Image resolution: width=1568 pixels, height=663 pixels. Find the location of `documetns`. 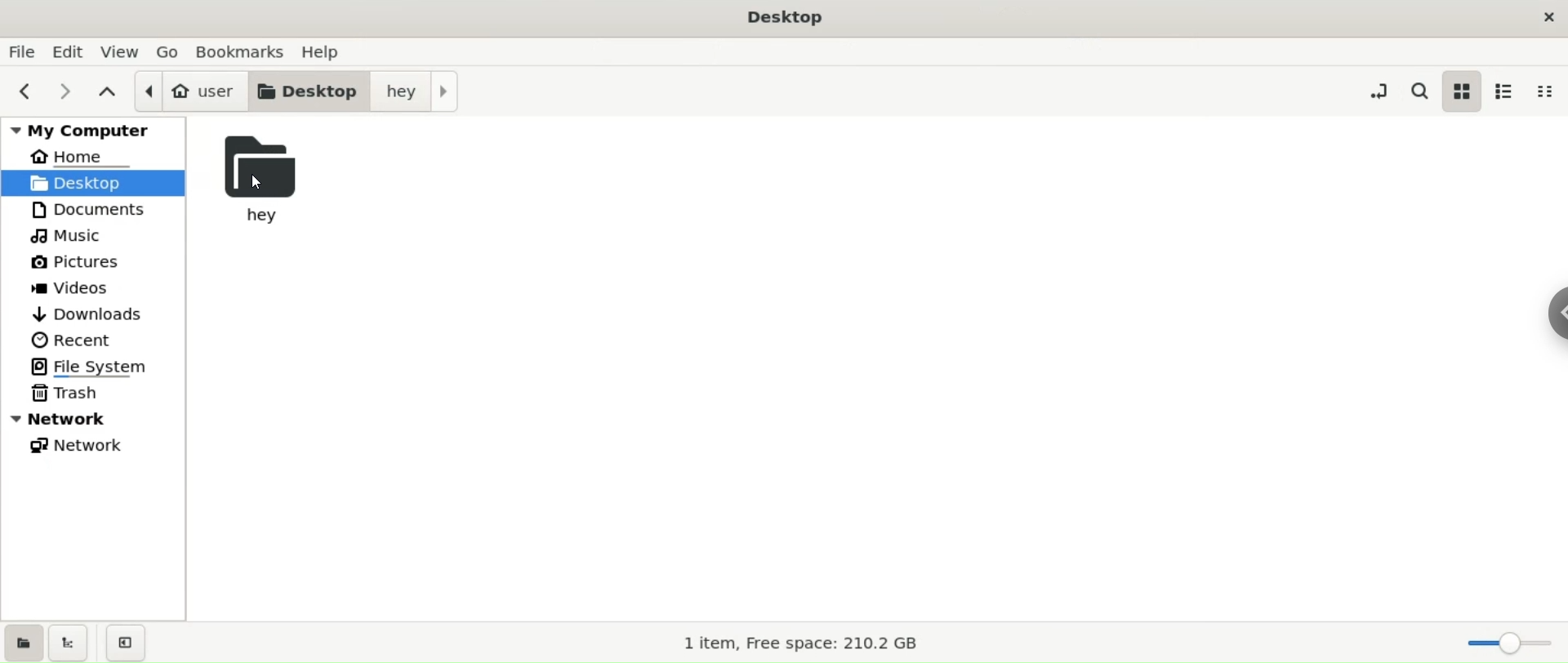

documetns is located at coordinates (93, 211).